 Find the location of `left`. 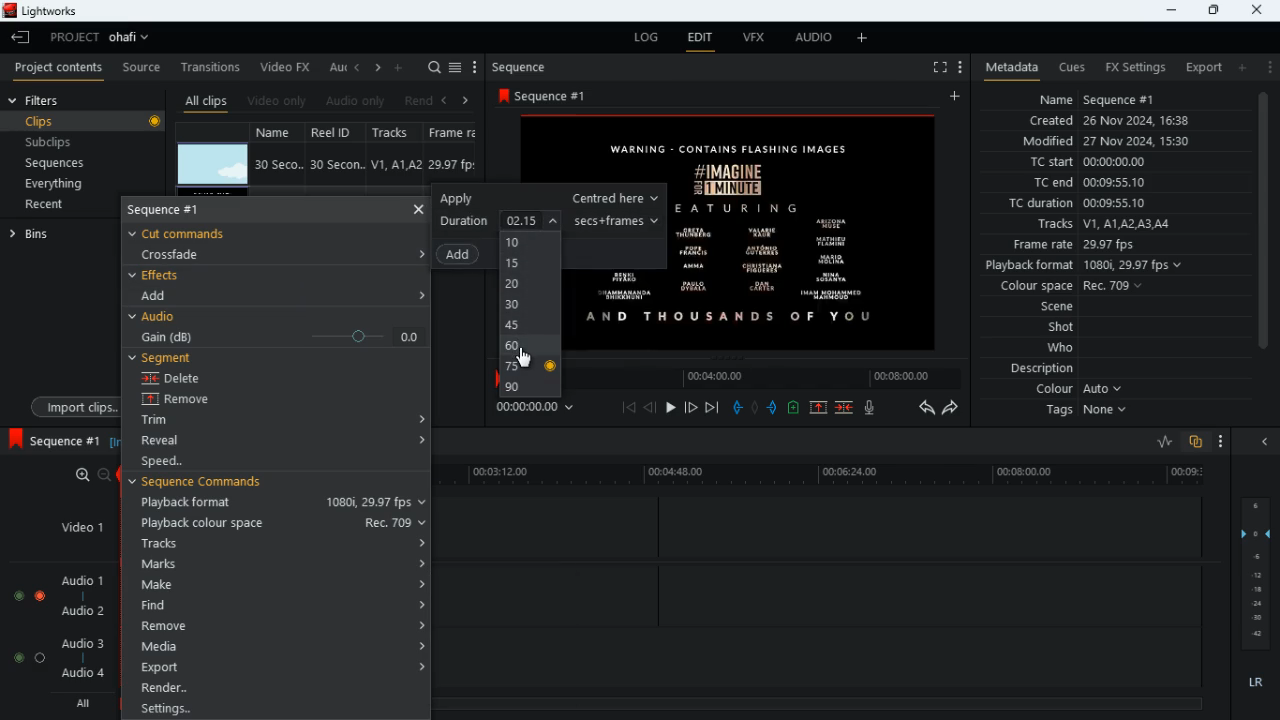

left is located at coordinates (358, 67).